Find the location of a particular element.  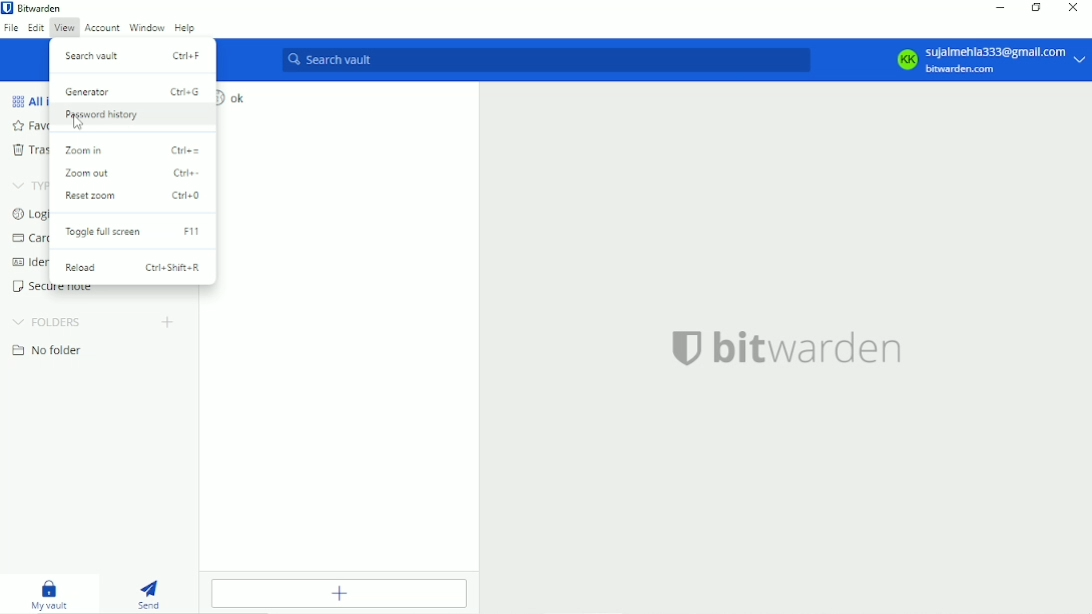

No folder is located at coordinates (45, 351).